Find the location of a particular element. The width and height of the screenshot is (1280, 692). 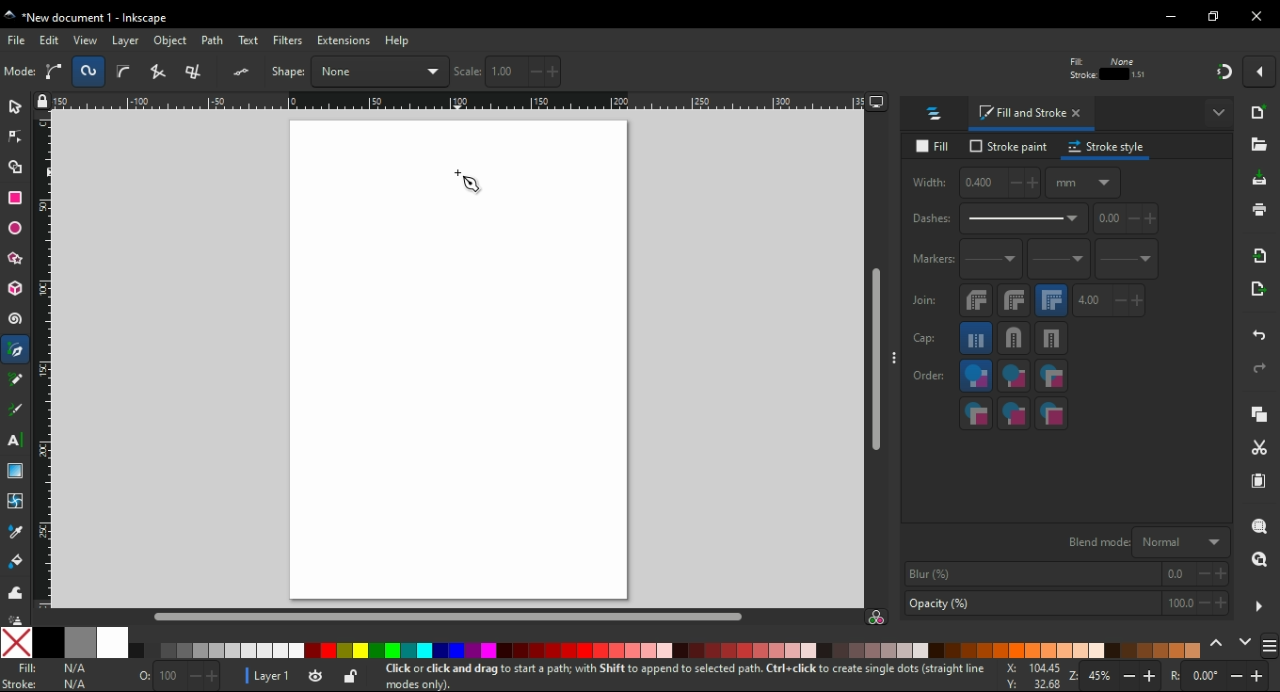

mouse pointer is located at coordinates (469, 182).